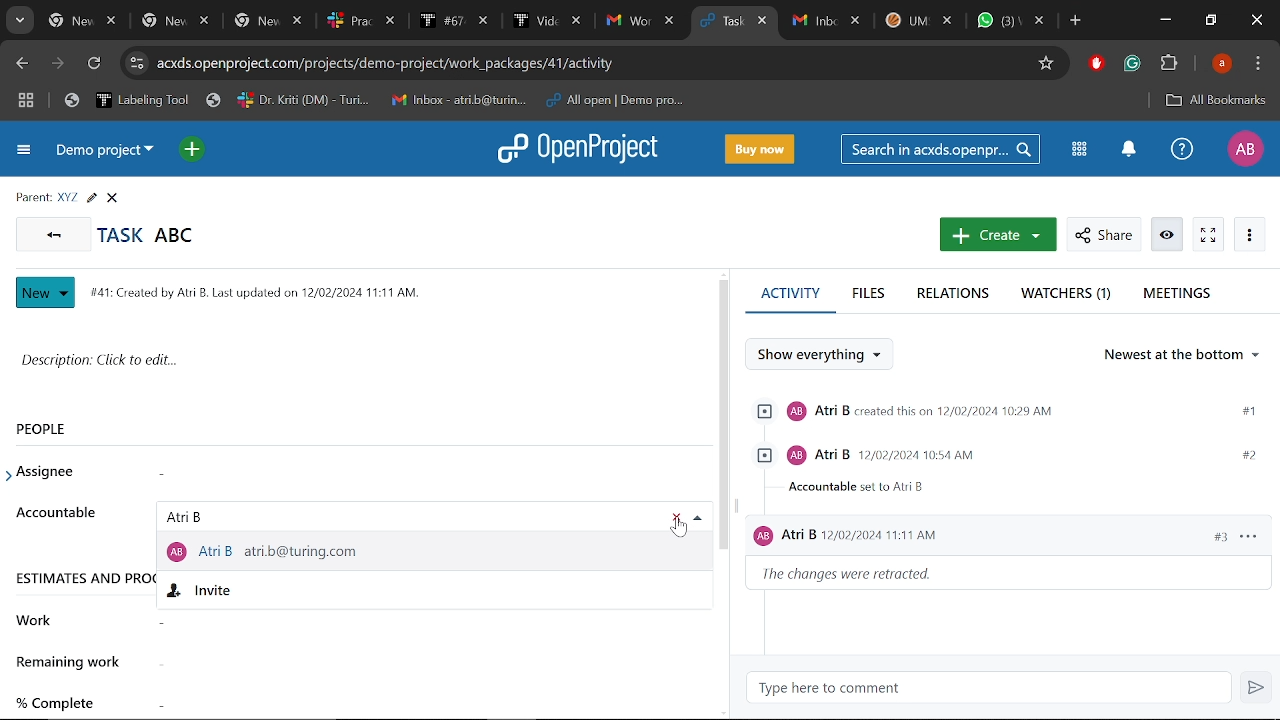  I want to click on activity history: Atri B created this on 12/02/2024 10:29 AM , so click(1002, 412).